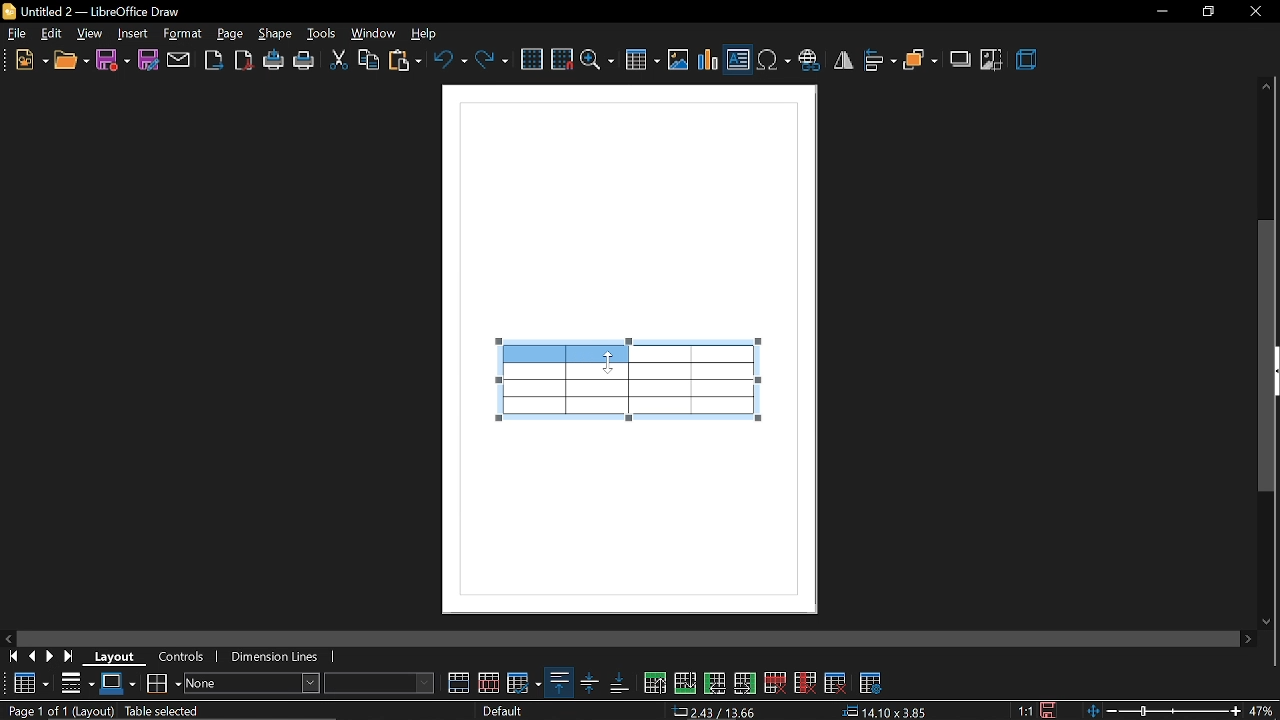 The height and width of the screenshot is (720, 1280). What do you see at coordinates (834, 682) in the screenshot?
I see `delete table` at bounding box center [834, 682].